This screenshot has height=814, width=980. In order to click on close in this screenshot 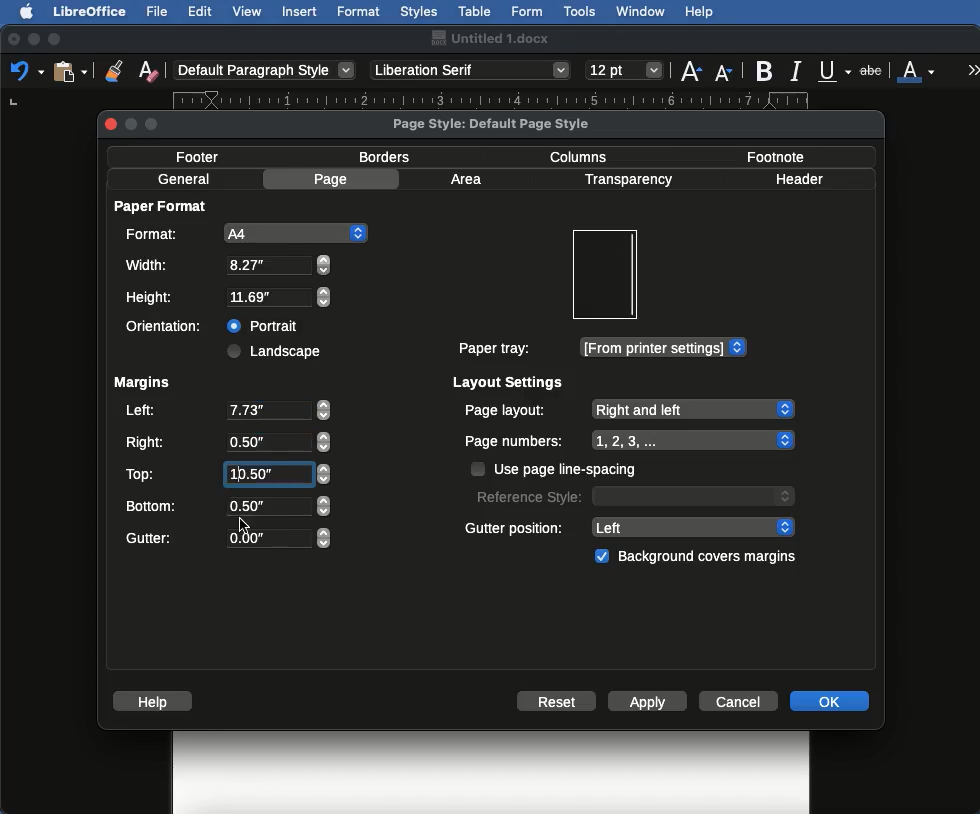, I will do `click(111, 124)`.